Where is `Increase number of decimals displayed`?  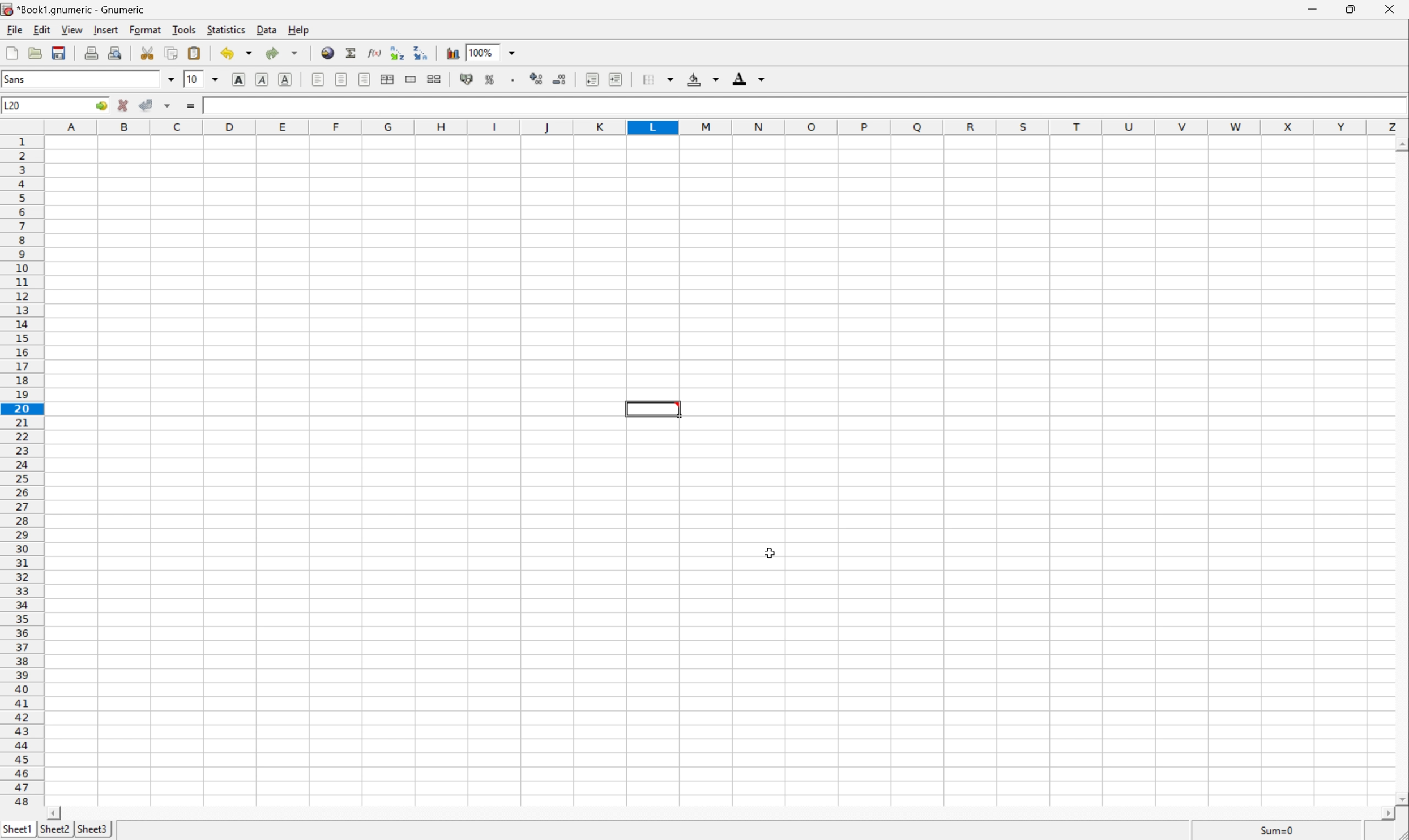 Increase number of decimals displayed is located at coordinates (537, 79).